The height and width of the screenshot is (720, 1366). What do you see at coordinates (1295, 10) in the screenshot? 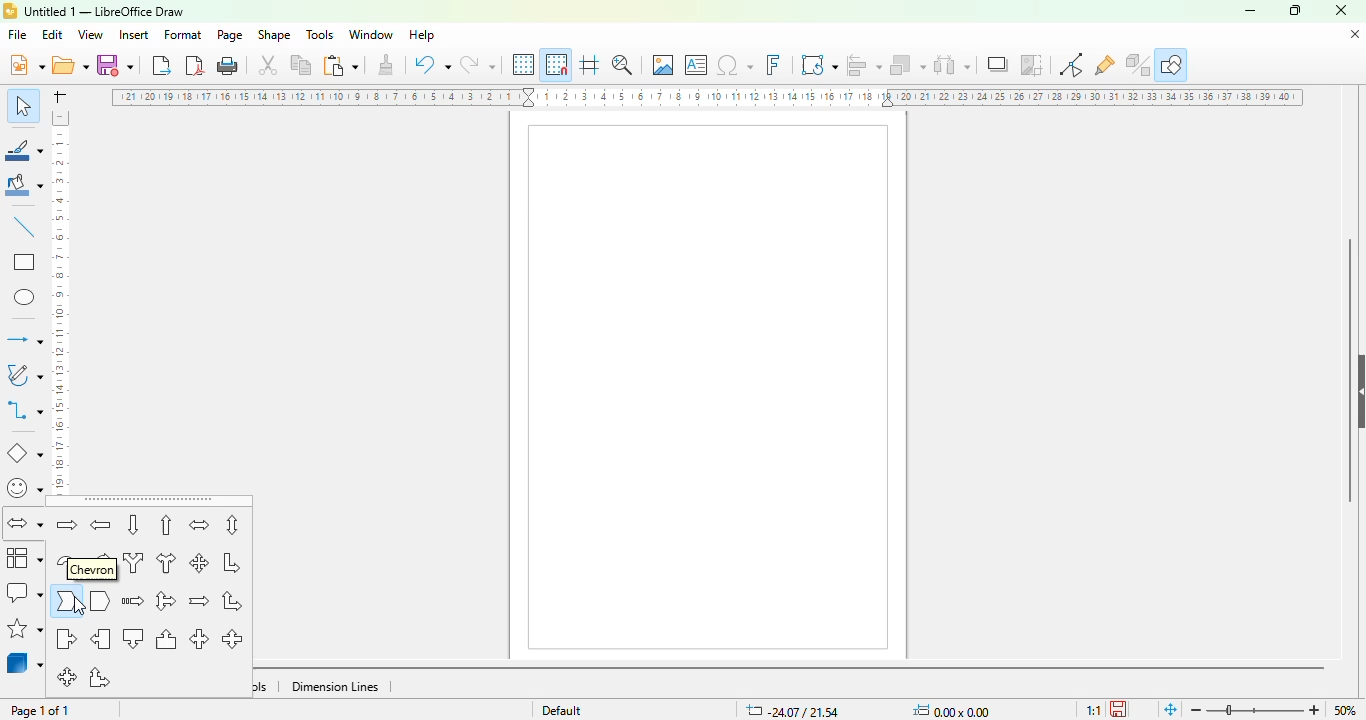
I see `maximize` at bounding box center [1295, 10].